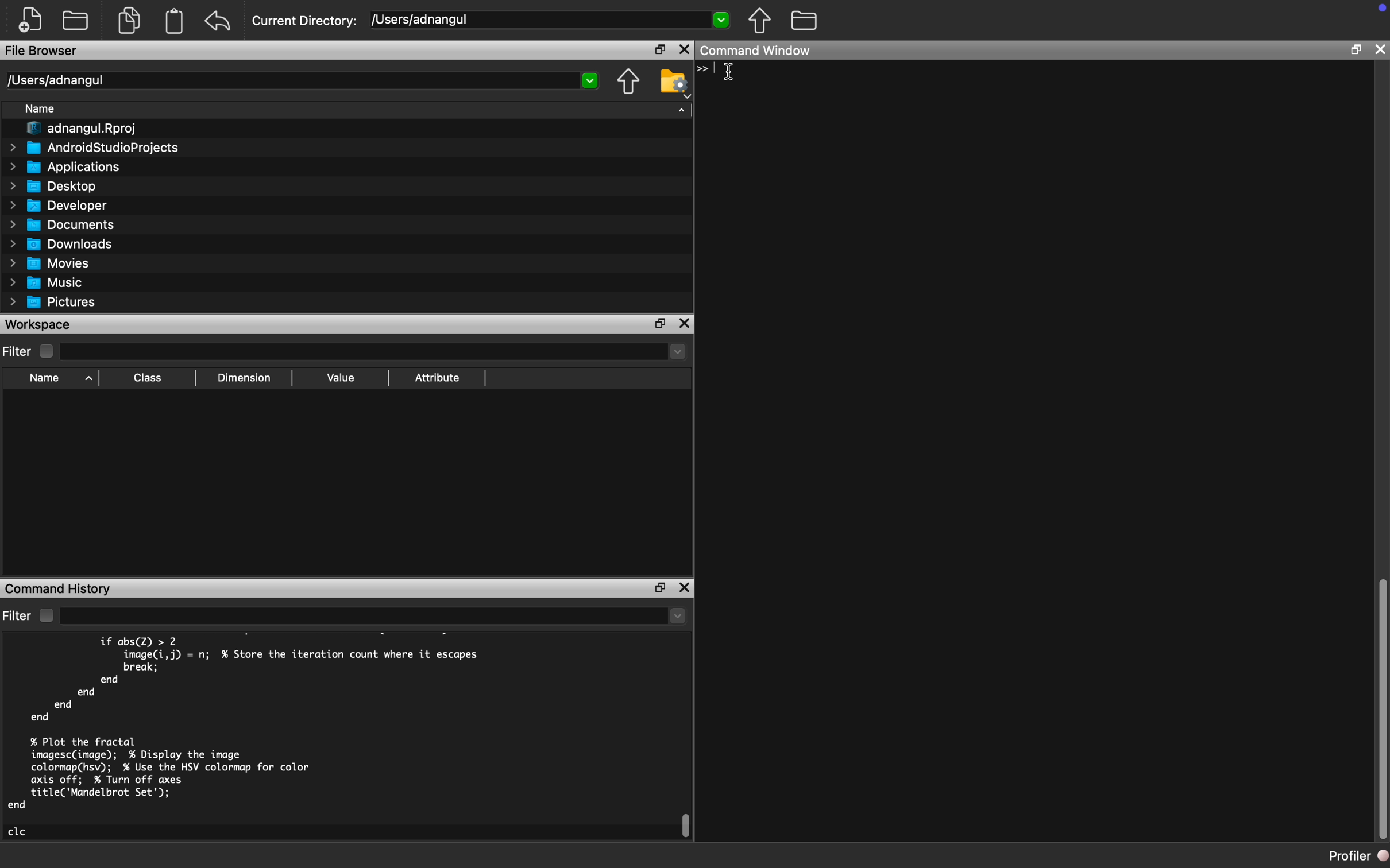  Describe the element at coordinates (374, 615) in the screenshot. I see `Dropdown` at that location.